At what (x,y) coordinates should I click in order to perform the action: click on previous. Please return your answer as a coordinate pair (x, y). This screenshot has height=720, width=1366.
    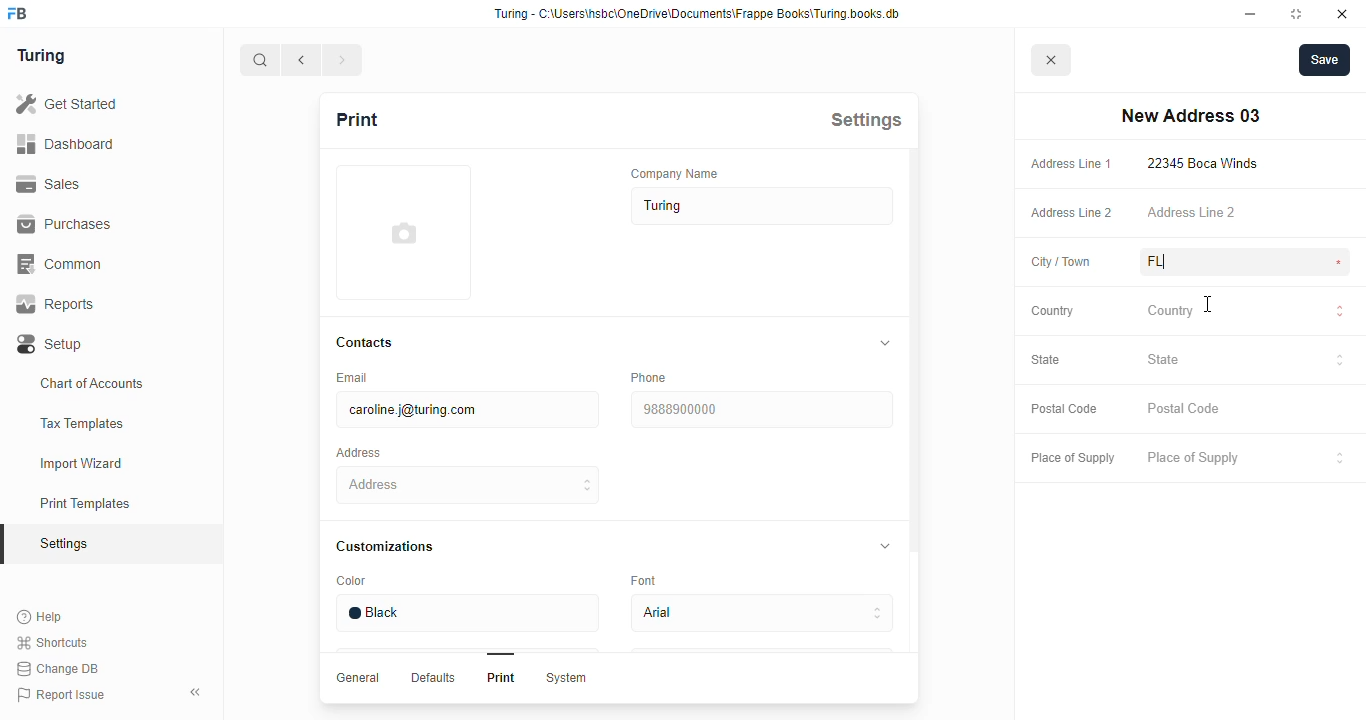
    Looking at the image, I should click on (302, 60).